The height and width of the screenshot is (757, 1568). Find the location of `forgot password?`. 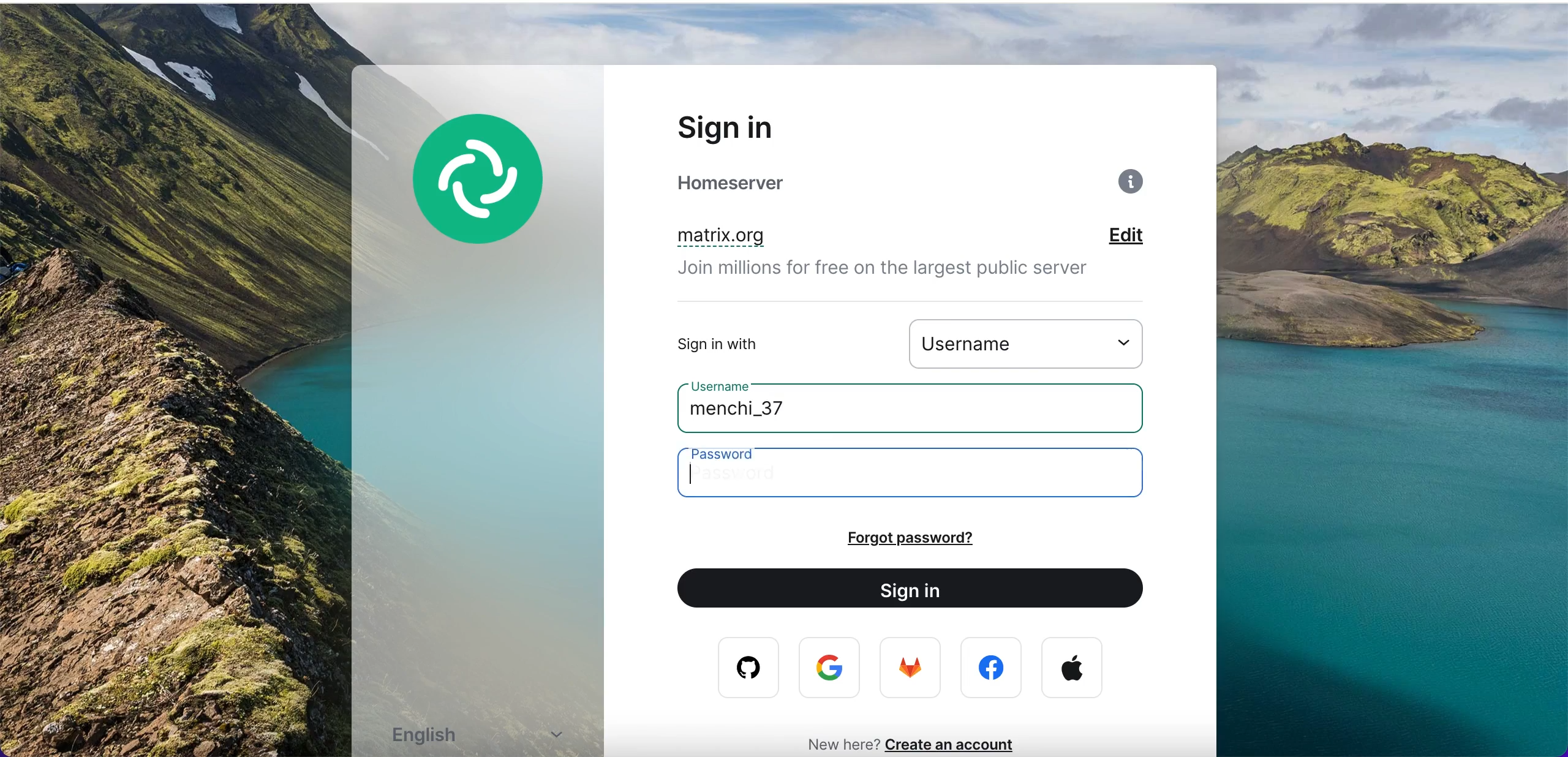

forgot password? is located at coordinates (944, 538).